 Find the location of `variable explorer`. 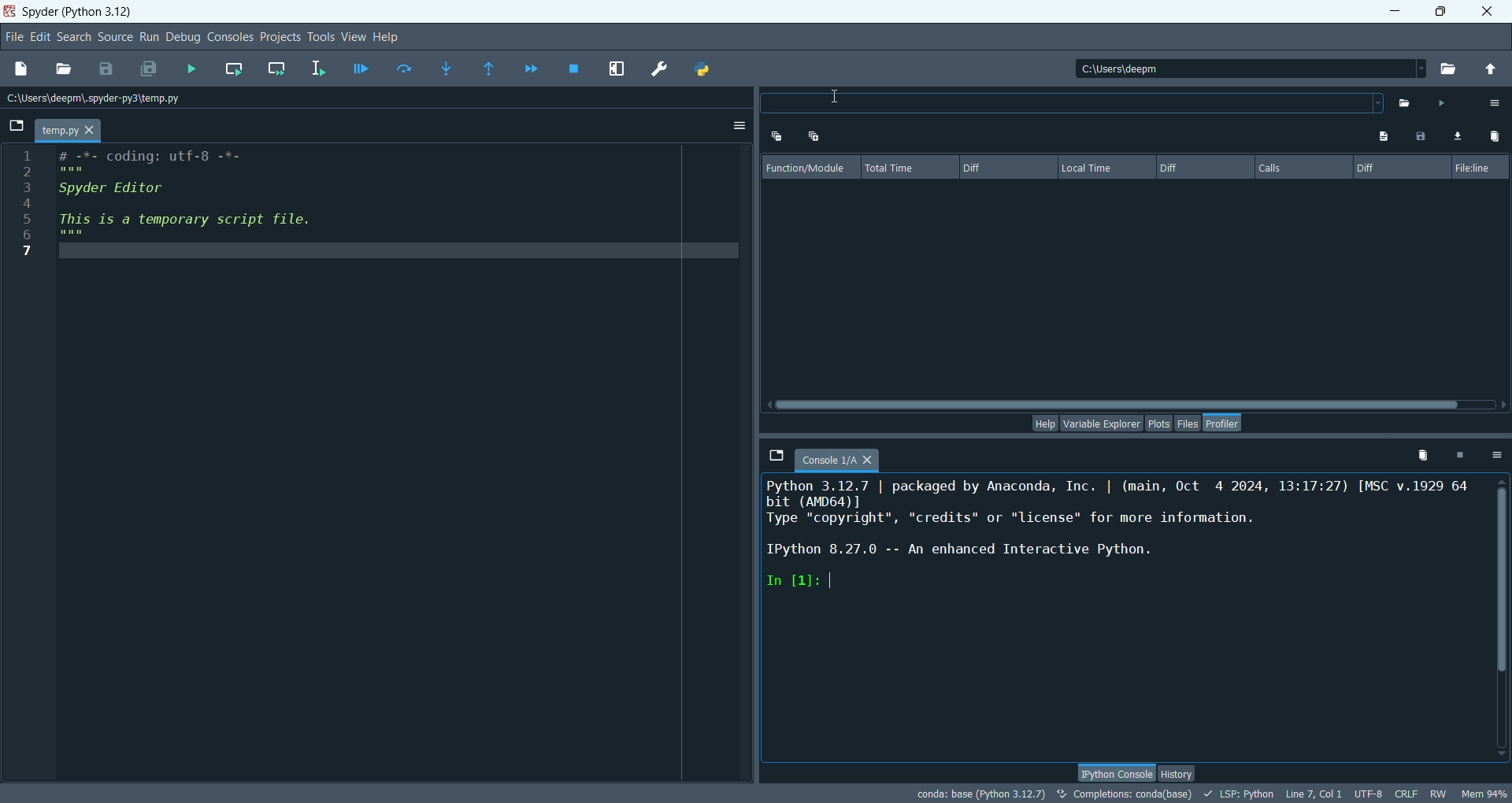

variable explorer is located at coordinates (1107, 424).